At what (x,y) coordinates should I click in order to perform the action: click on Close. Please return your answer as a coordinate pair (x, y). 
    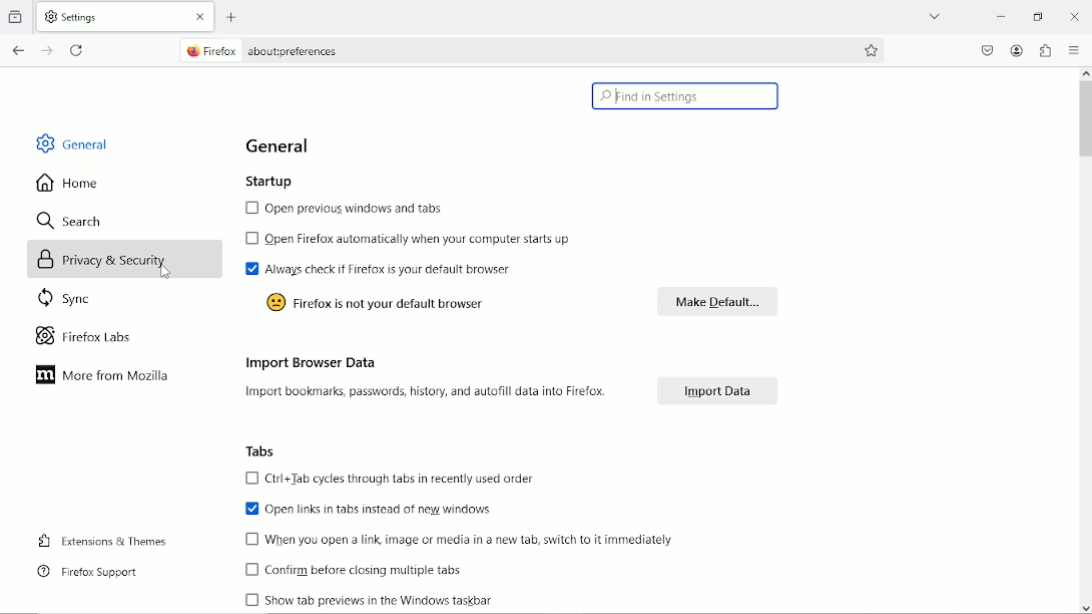
    Looking at the image, I should click on (1075, 15).